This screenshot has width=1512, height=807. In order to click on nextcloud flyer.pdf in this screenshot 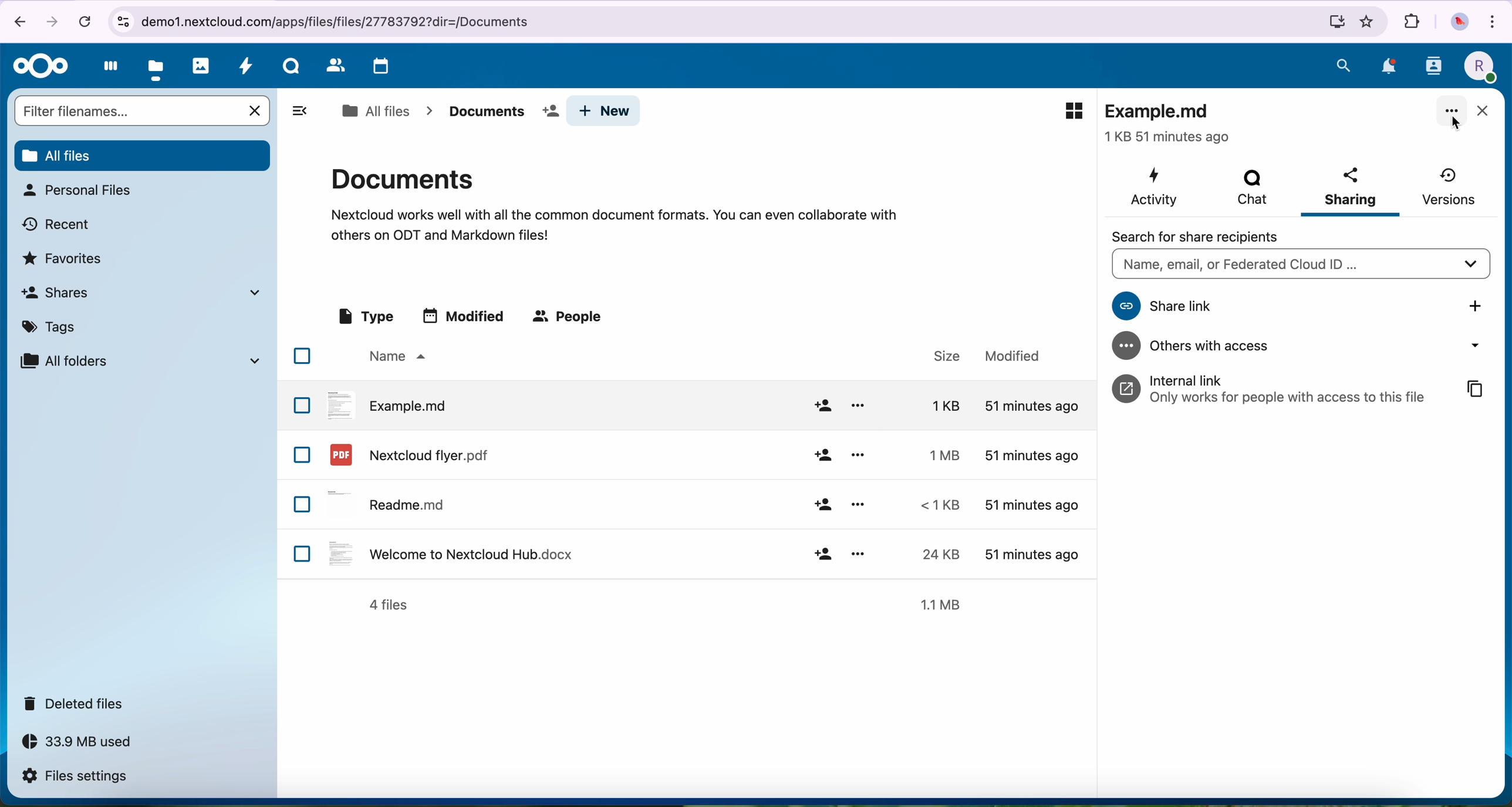, I will do `click(407, 454)`.